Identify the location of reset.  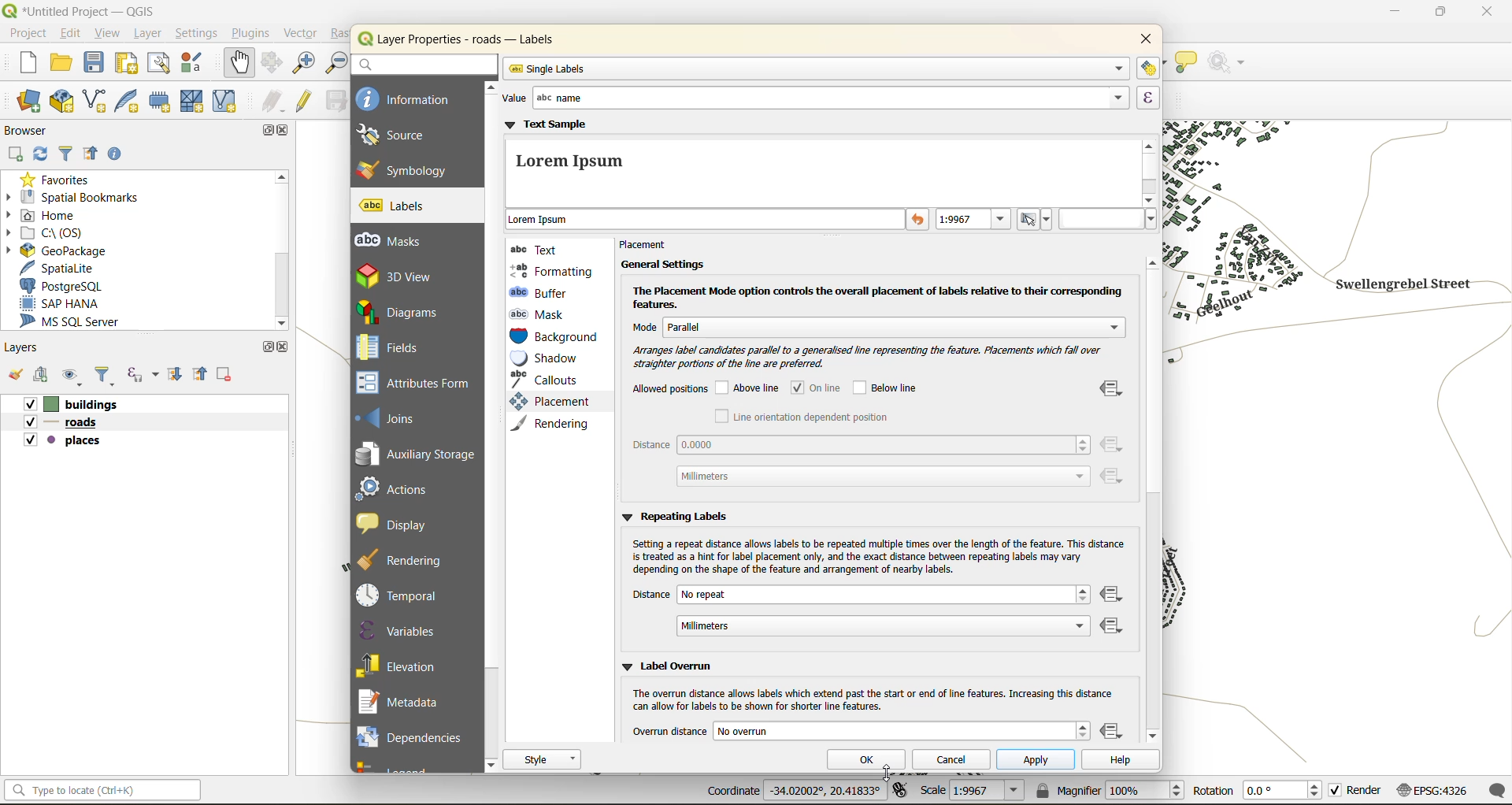
(919, 221).